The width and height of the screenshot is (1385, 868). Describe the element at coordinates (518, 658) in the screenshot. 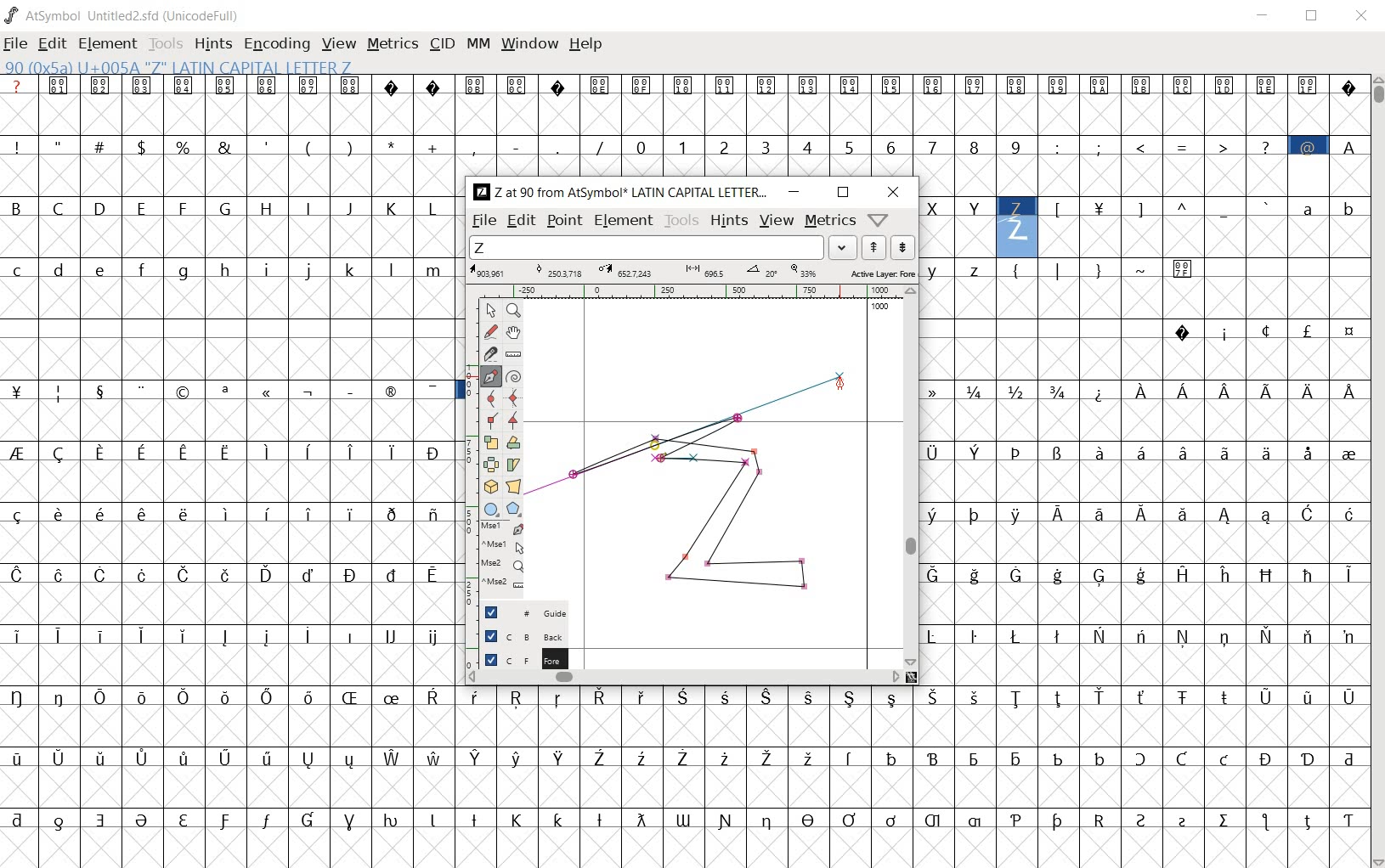

I see `Foreground` at that location.